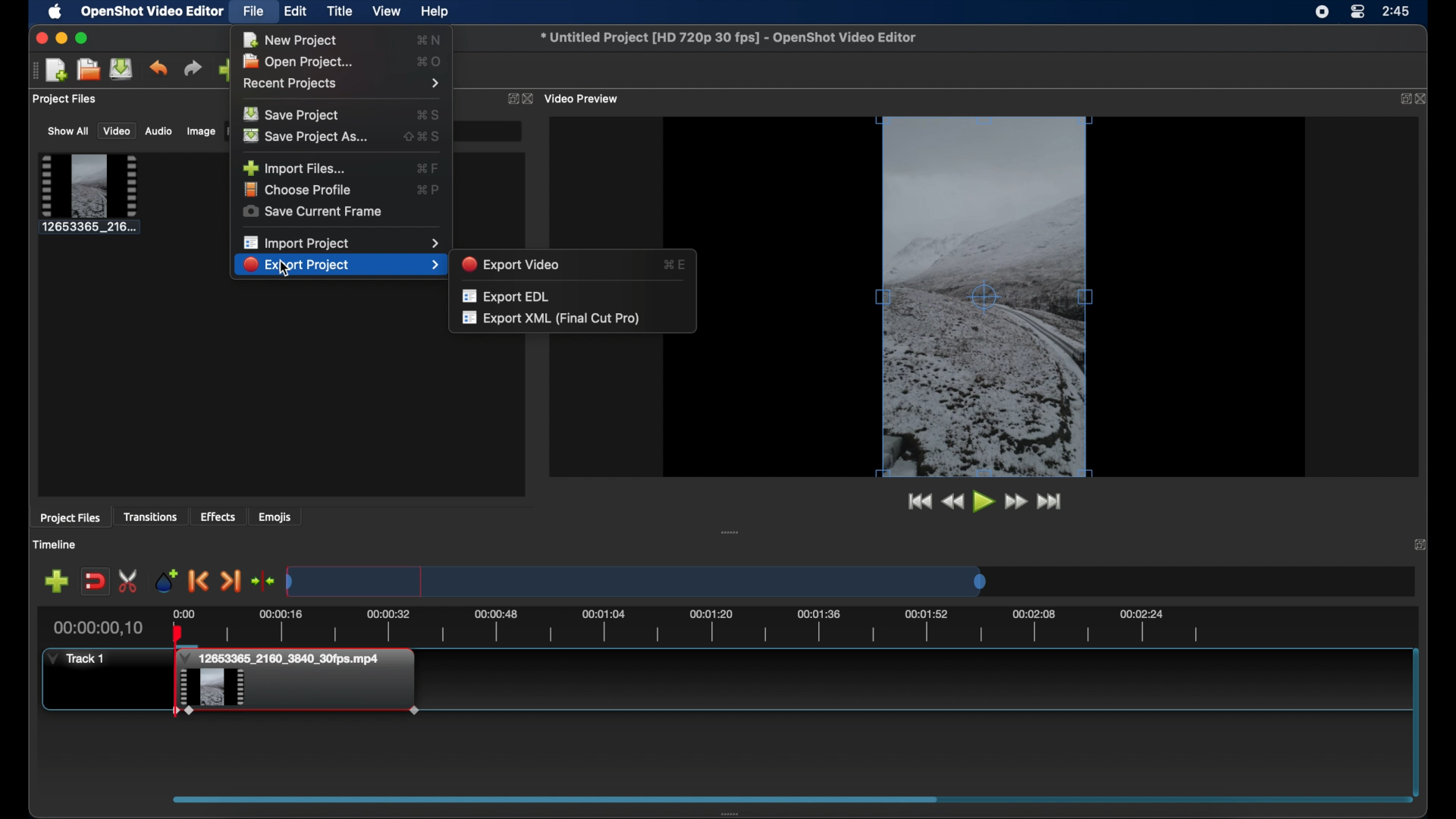 The image size is (1456, 819). What do you see at coordinates (89, 69) in the screenshot?
I see `open project` at bounding box center [89, 69].